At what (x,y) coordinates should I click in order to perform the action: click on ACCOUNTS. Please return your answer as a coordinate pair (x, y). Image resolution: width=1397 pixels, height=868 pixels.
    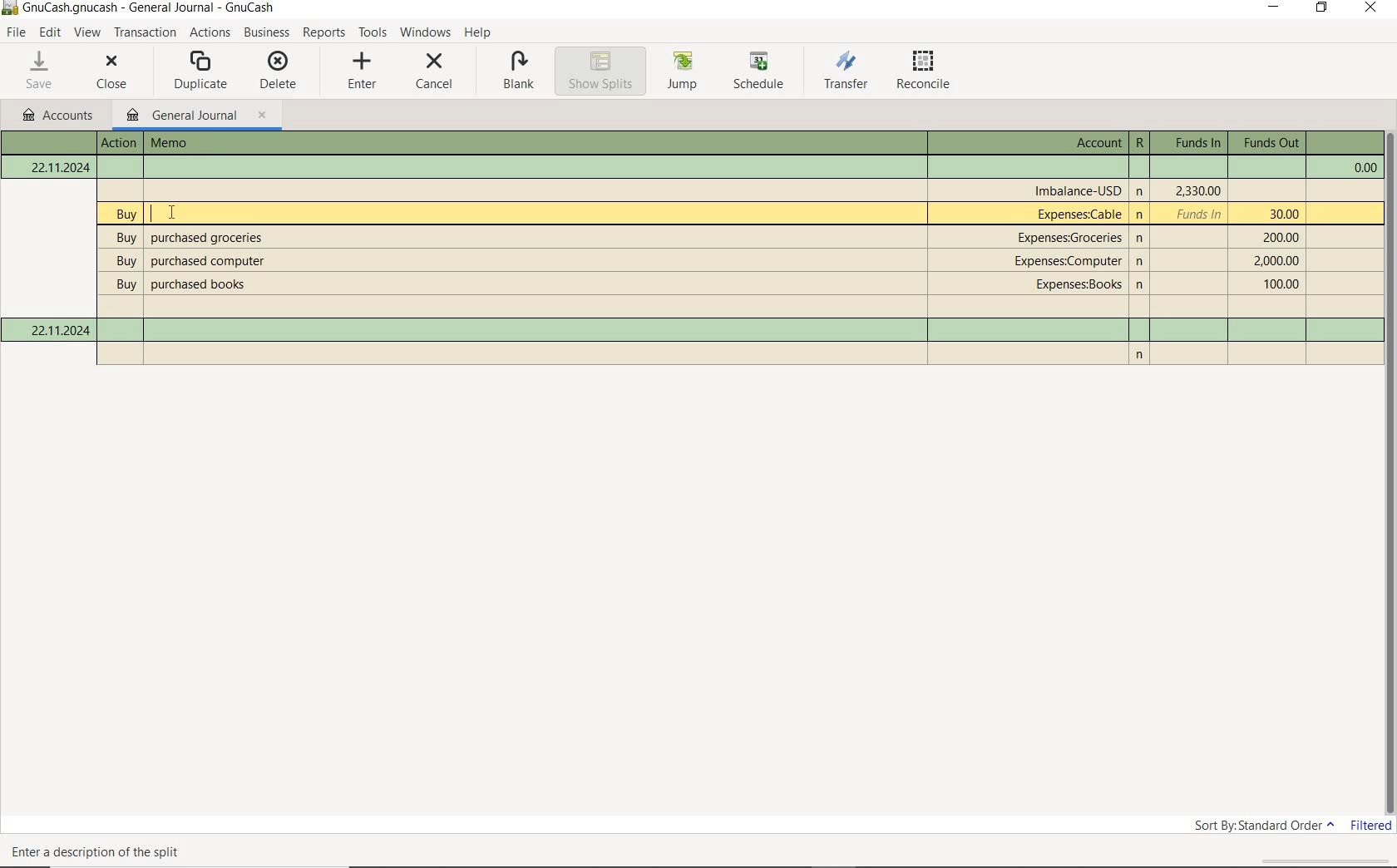
    Looking at the image, I should click on (56, 116).